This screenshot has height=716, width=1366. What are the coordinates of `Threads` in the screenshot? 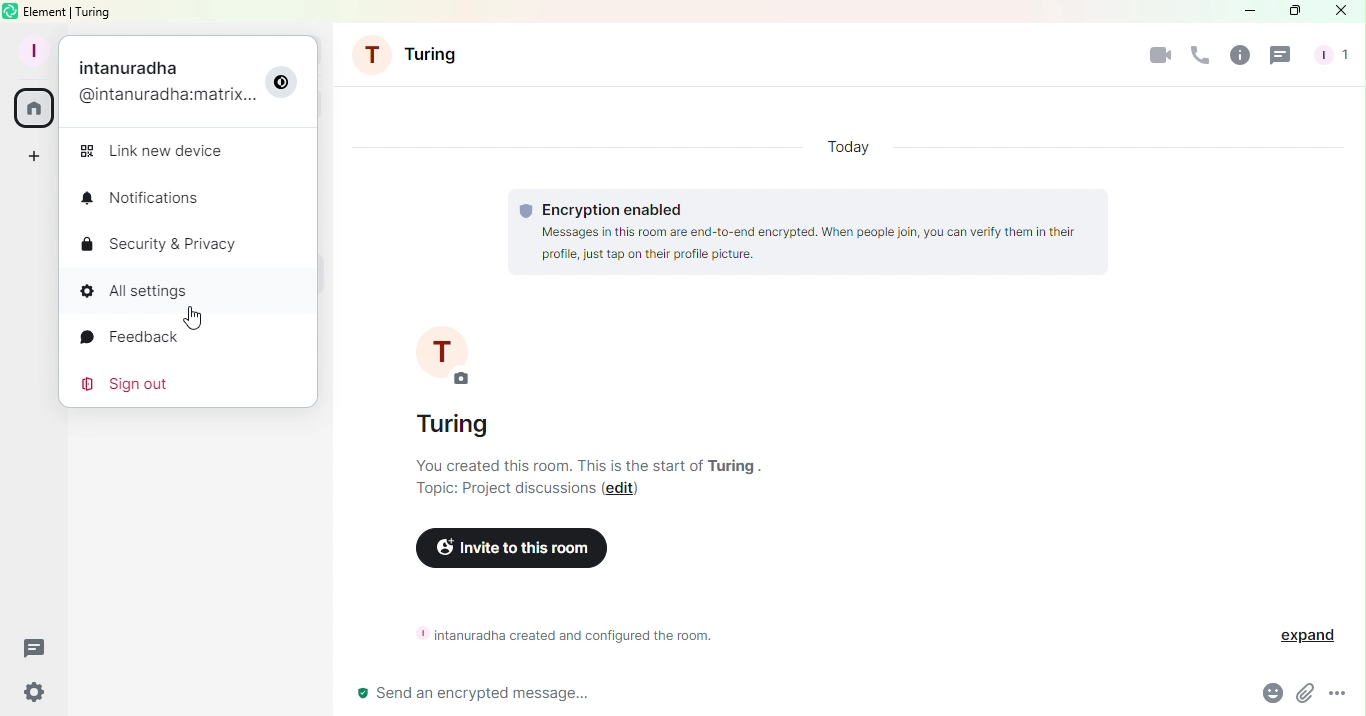 It's located at (34, 645).